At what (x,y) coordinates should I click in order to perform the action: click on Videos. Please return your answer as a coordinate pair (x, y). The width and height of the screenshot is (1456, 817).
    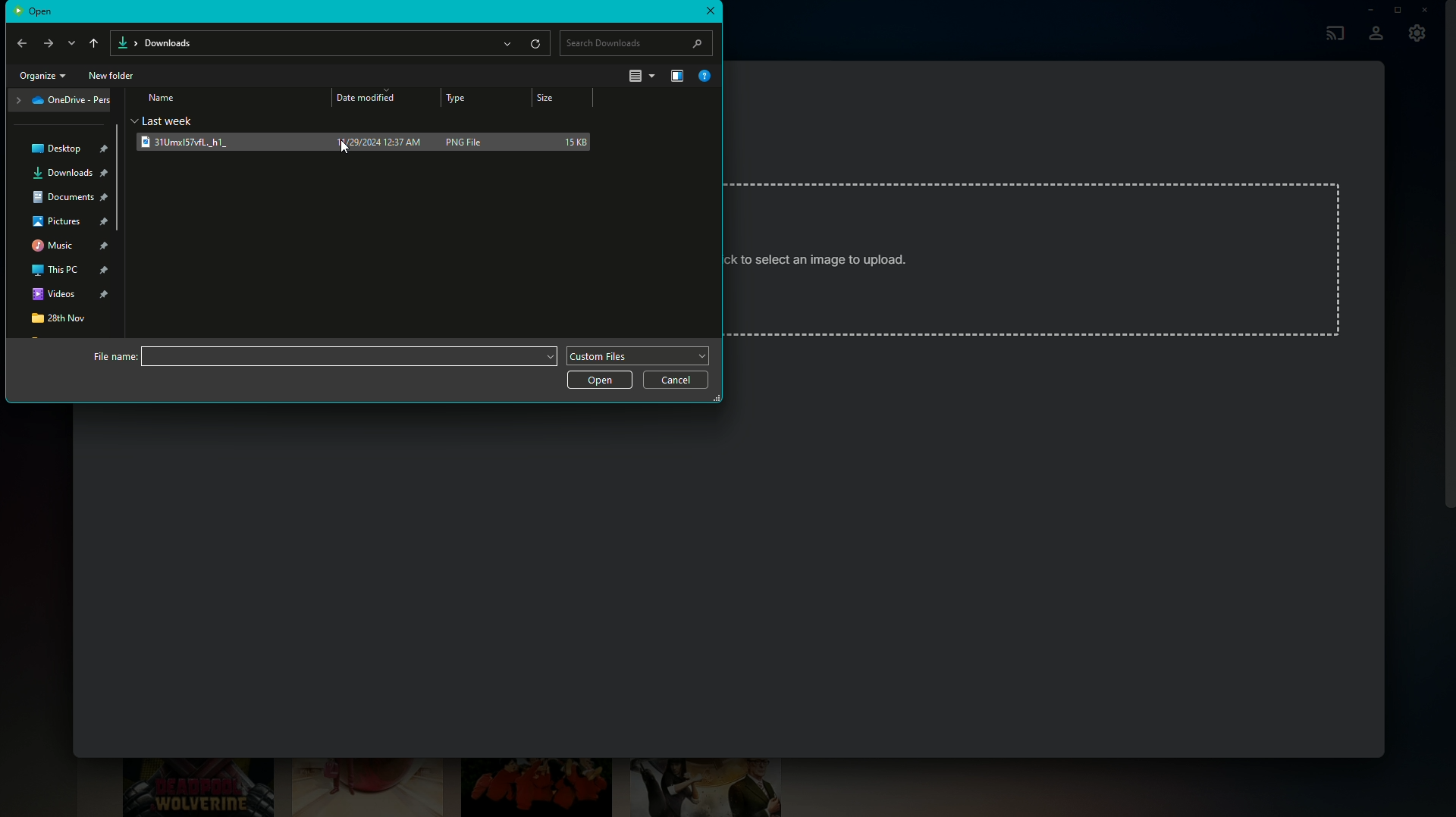
    Looking at the image, I should click on (70, 297).